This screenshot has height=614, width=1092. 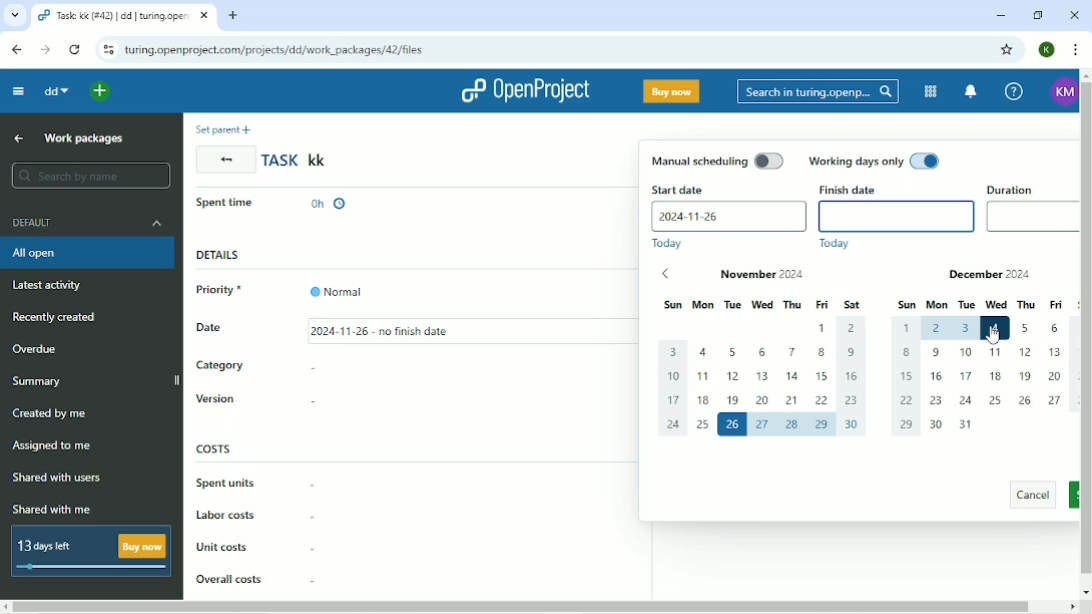 I want to click on December 2024, so click(x=981, y=273).